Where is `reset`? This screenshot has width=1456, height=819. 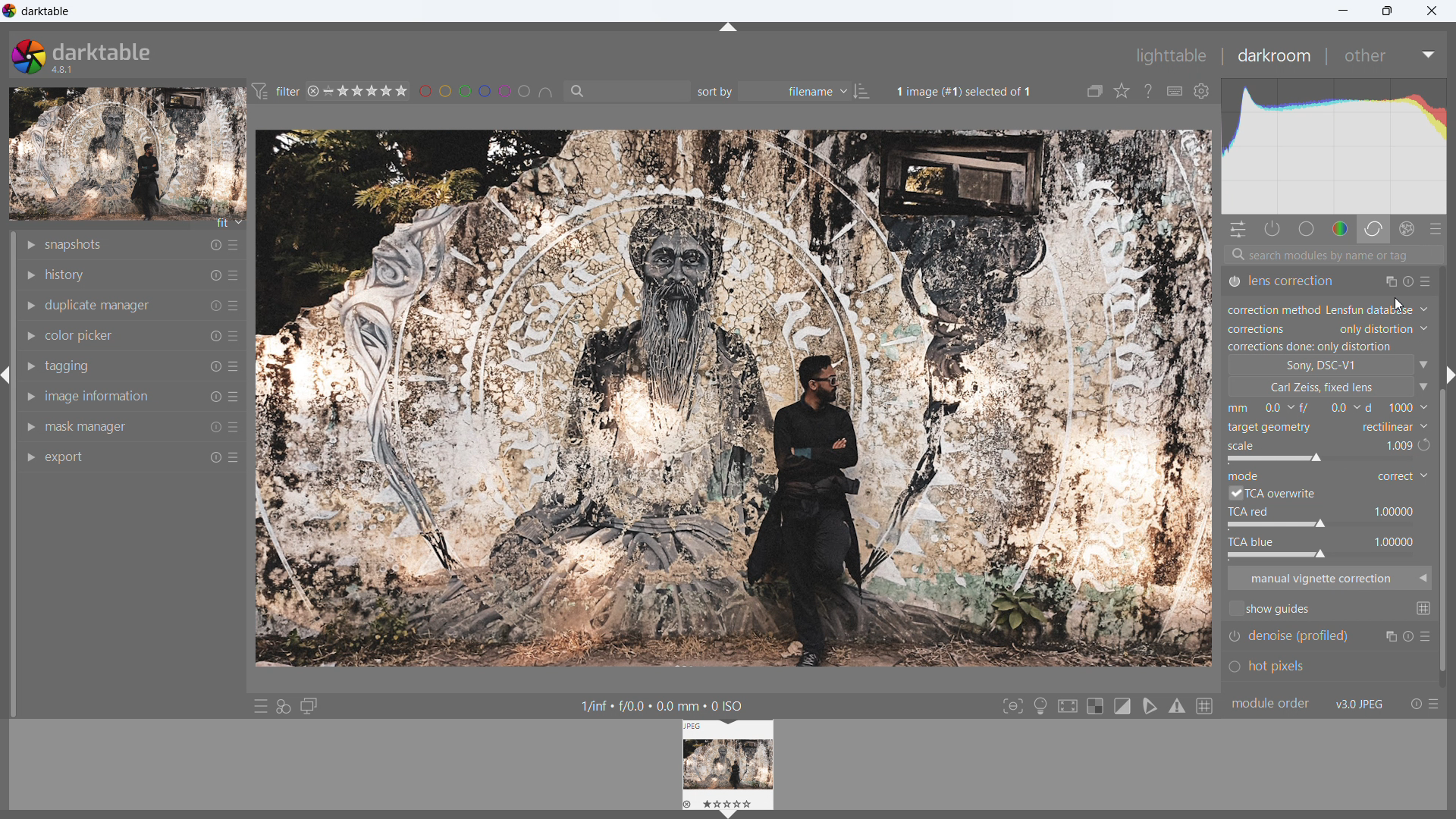 reset is located at coordinates (214, 397).